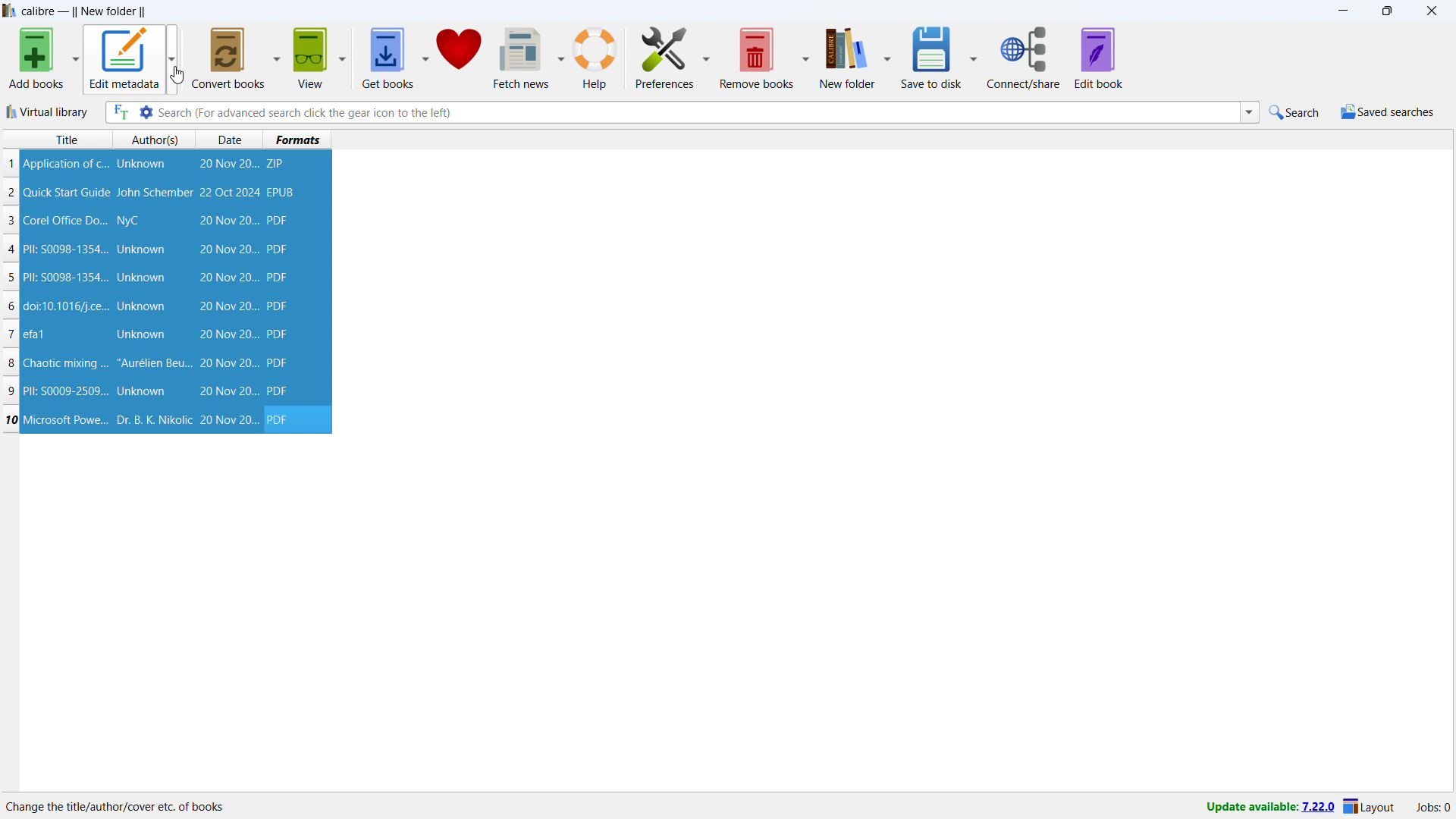  Describe the element at coordinates (11, 334) in the screenshot. I see `7` at that location.